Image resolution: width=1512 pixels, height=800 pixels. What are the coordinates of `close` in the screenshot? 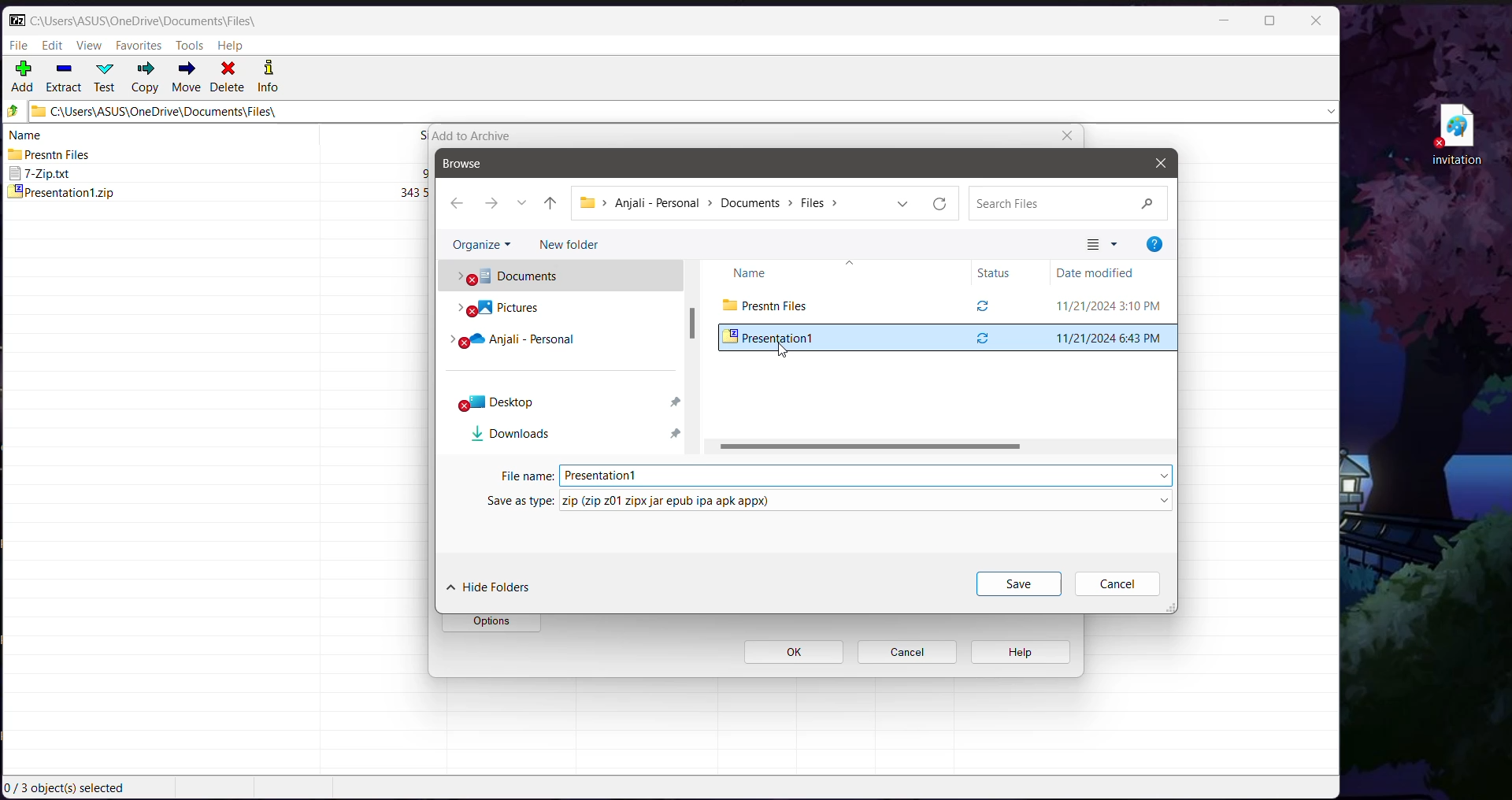 It's located at (1069, 136).